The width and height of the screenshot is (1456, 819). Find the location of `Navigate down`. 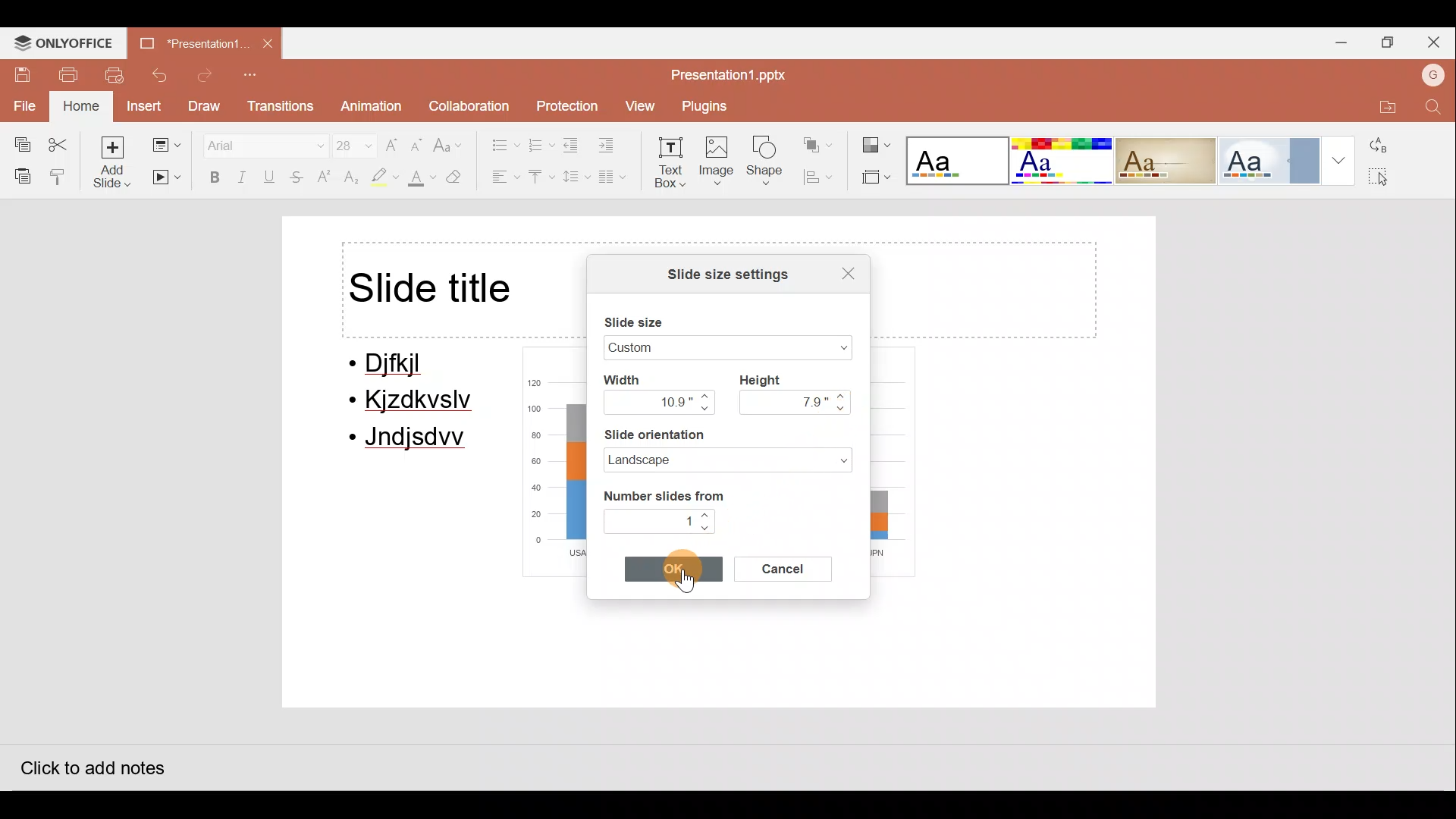

Navigate down is located at coordinates (705, 410).